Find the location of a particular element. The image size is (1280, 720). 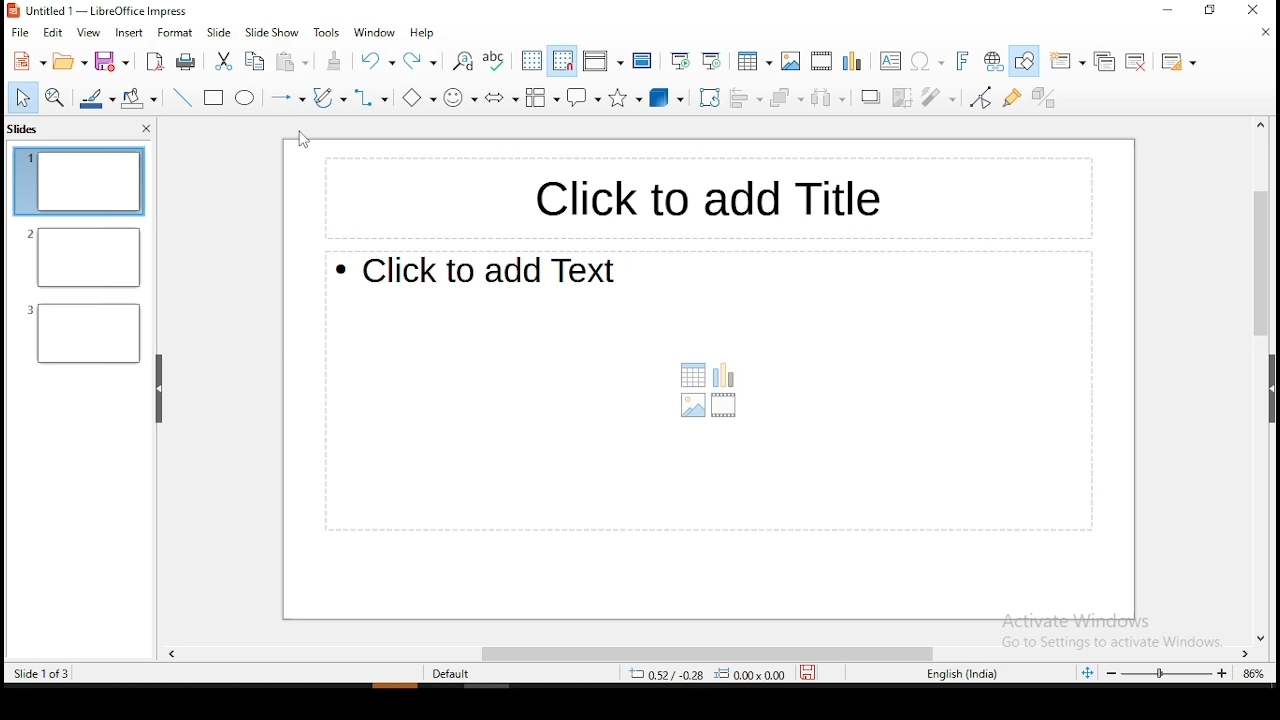

tools is located at coordinates (327, 33).